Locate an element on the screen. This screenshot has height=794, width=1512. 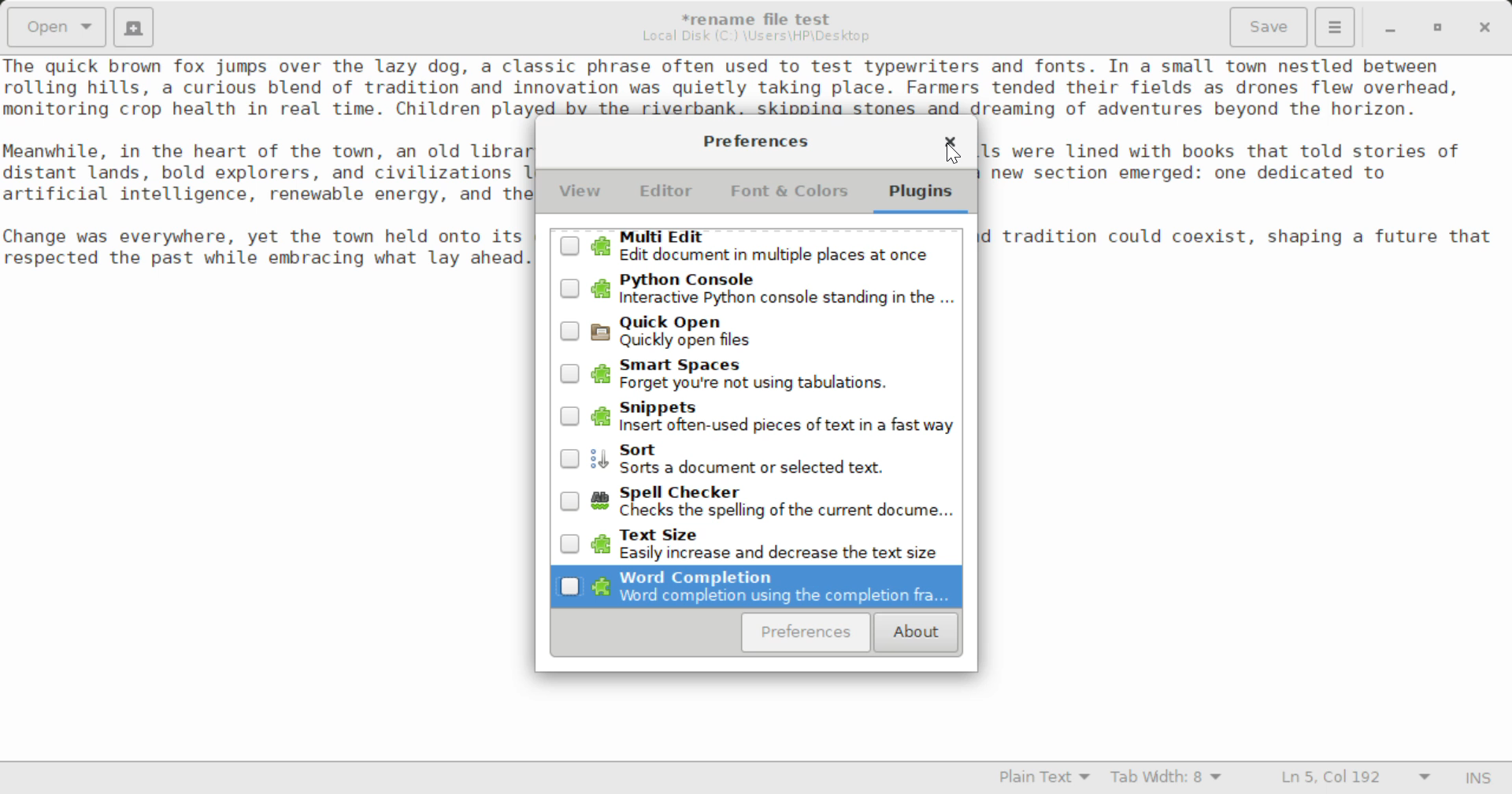
File Location is located at coordinates (756, 36).